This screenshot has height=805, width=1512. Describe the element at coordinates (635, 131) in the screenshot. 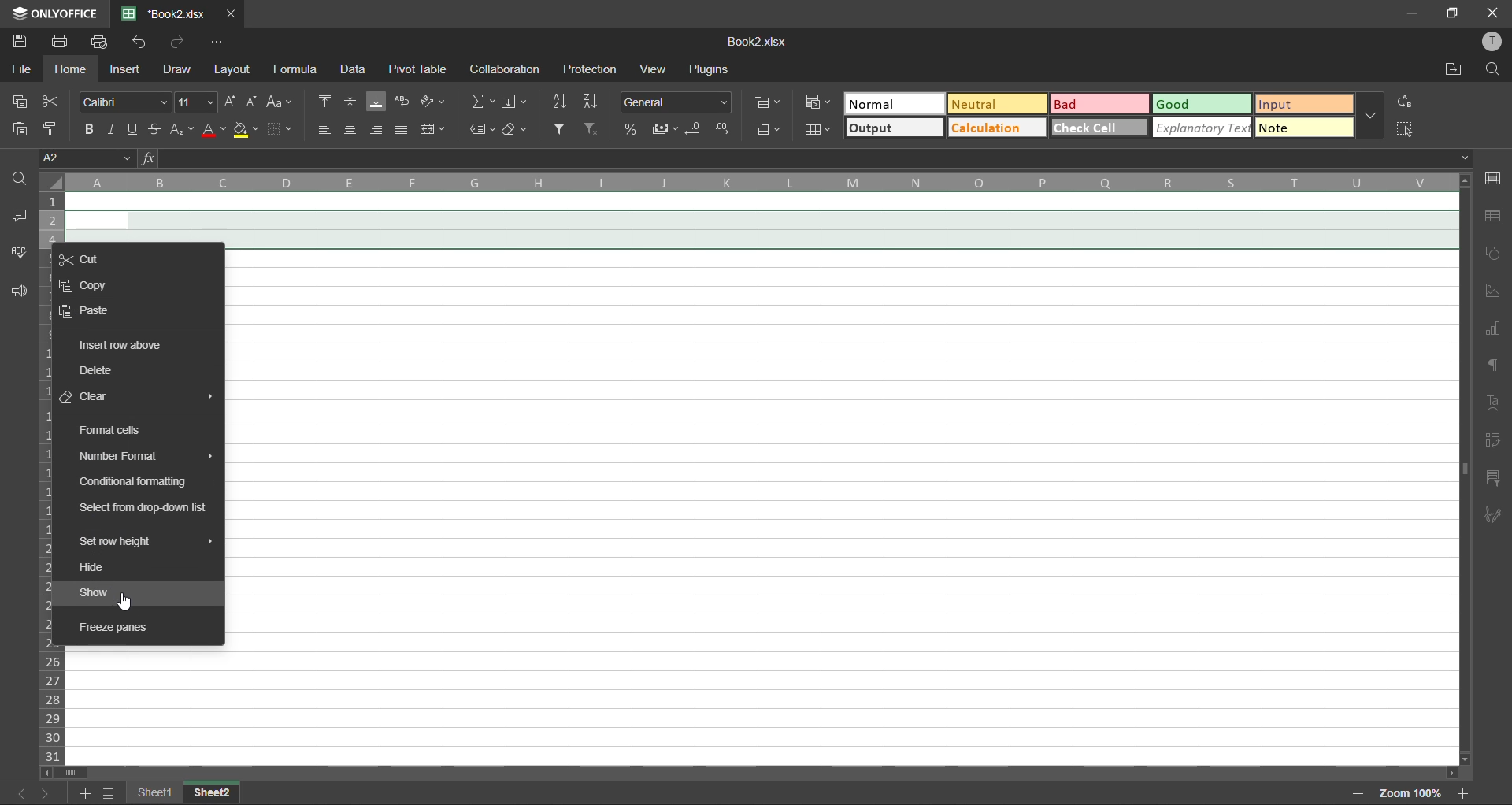

I see `percent` at that location.